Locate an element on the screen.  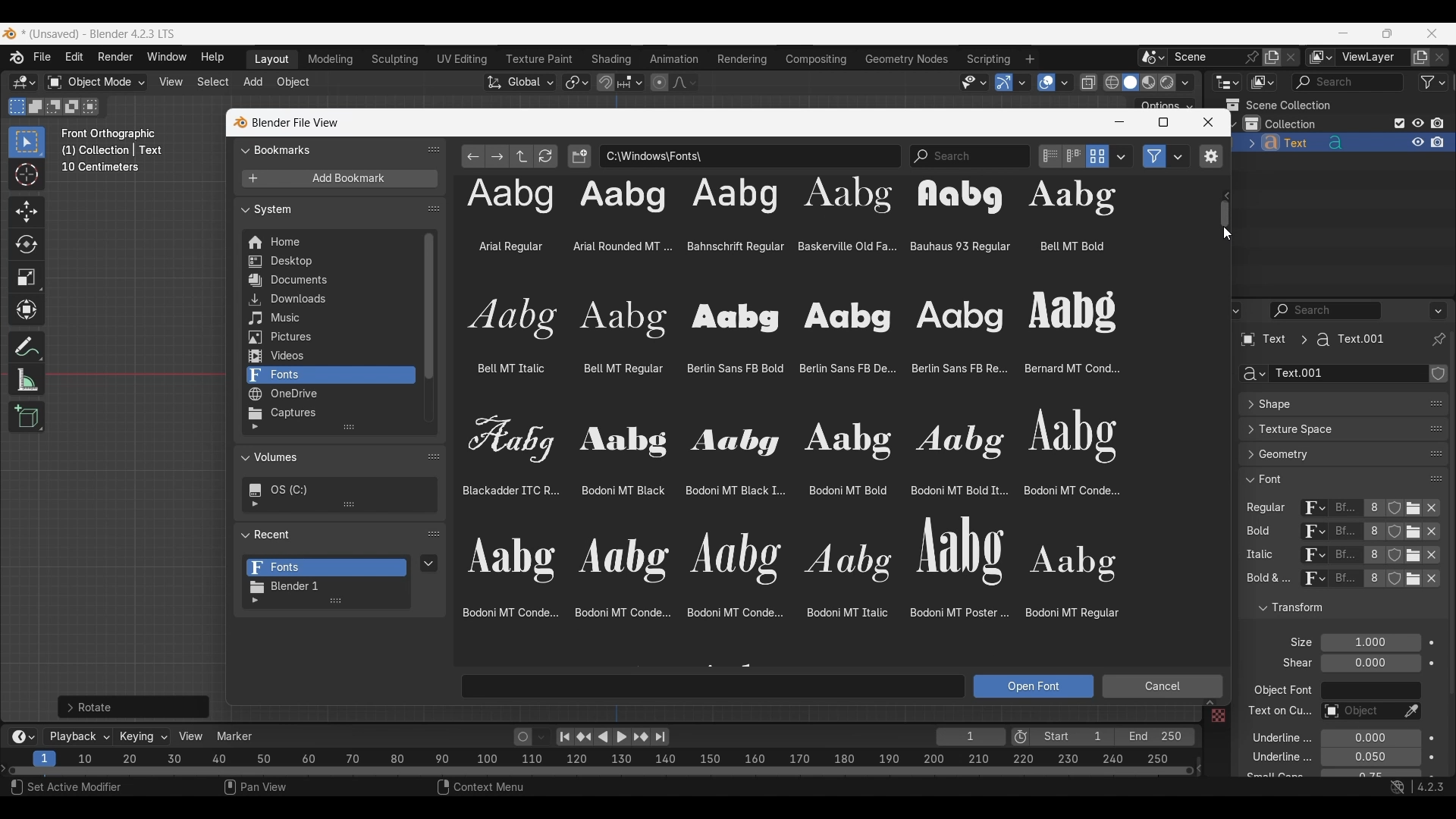
Viewport shading, wireframe is located at coordinates (1112, 83).